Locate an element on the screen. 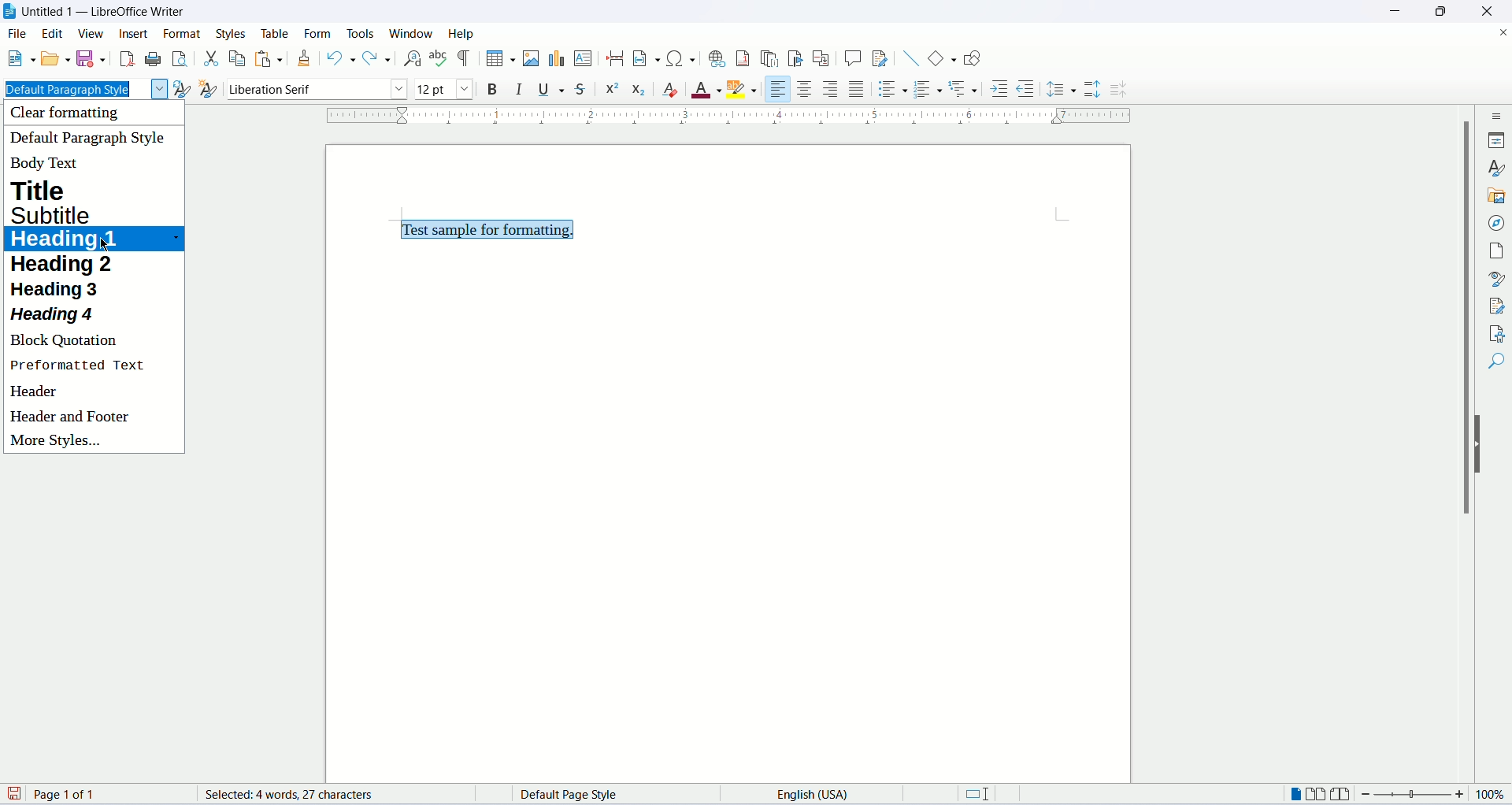  page is located at coordinates (1499, 250).